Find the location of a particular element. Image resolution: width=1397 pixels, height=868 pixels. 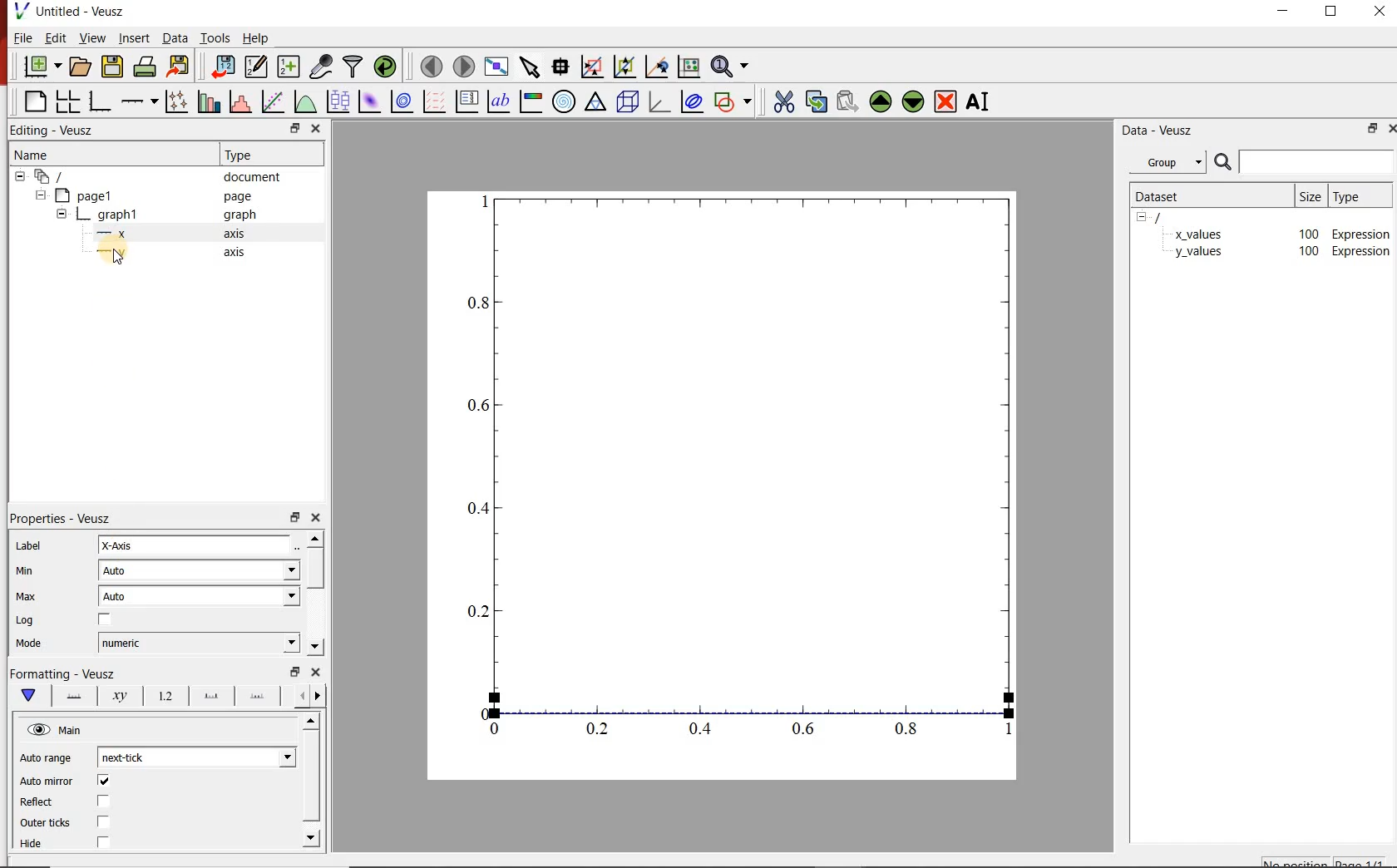

ternary graph is located at coordinates (597, 104).